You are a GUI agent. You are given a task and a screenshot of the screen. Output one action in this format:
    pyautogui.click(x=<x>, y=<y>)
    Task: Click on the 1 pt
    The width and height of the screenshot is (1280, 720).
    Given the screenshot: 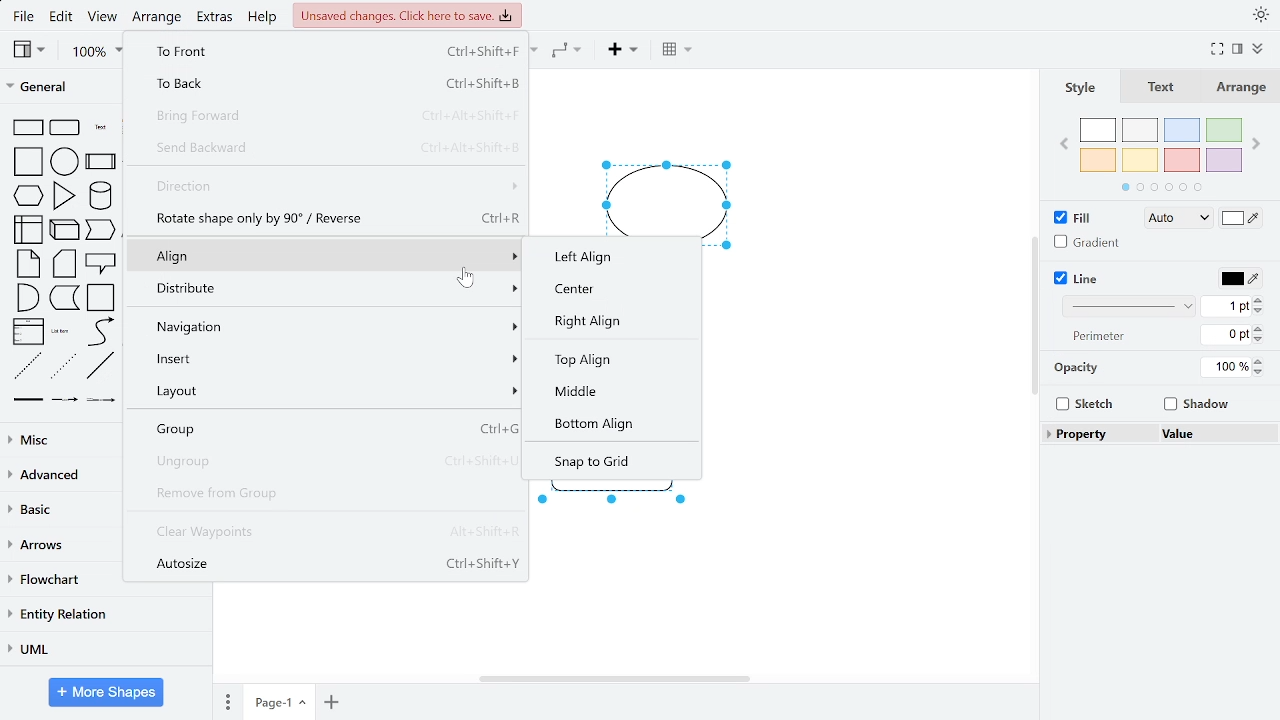 What is the action you would take?
    pyautogui.click(x=1227, y=307)
    